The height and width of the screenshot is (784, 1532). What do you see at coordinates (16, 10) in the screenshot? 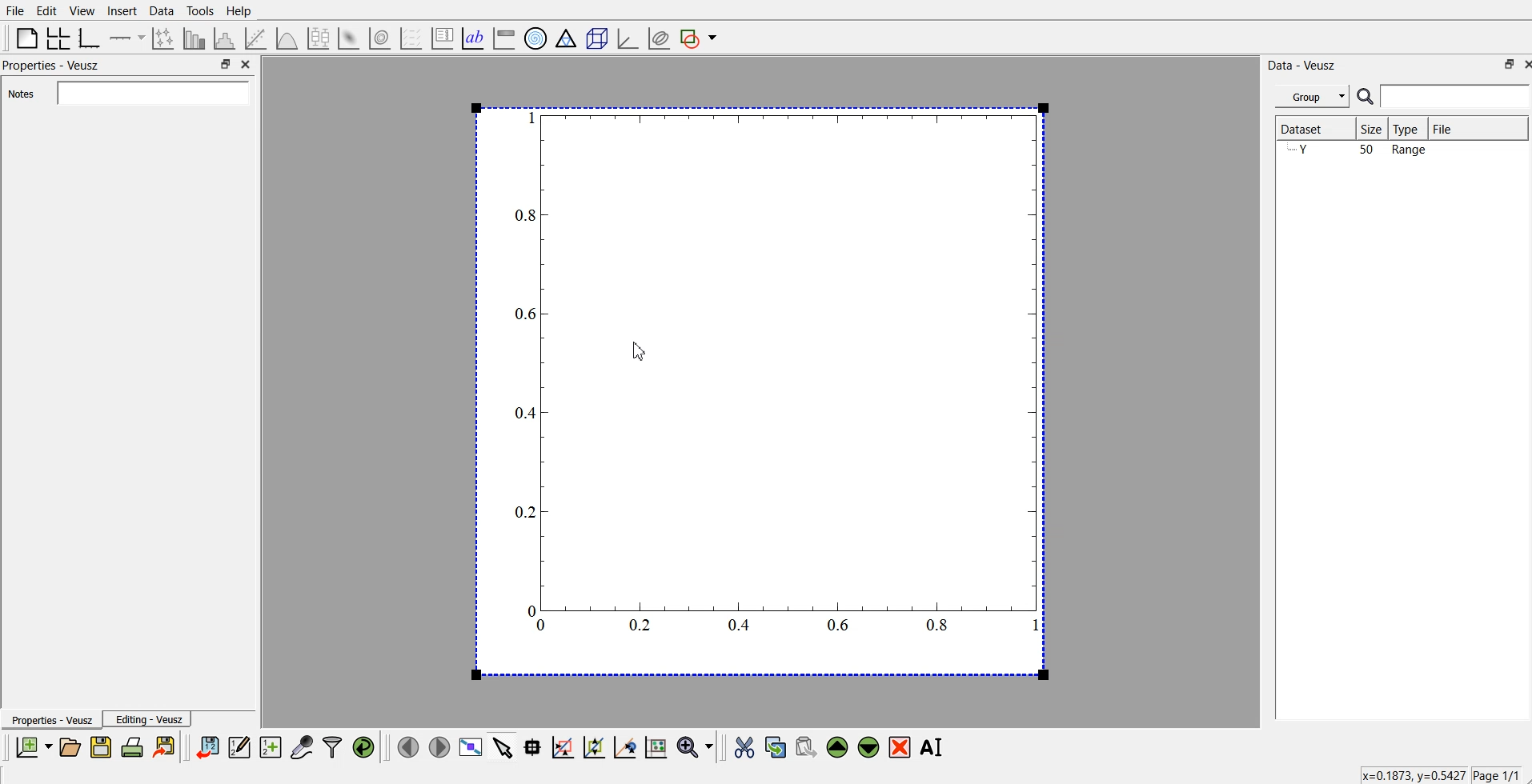
I see `File` at bounding box center [16, 10].